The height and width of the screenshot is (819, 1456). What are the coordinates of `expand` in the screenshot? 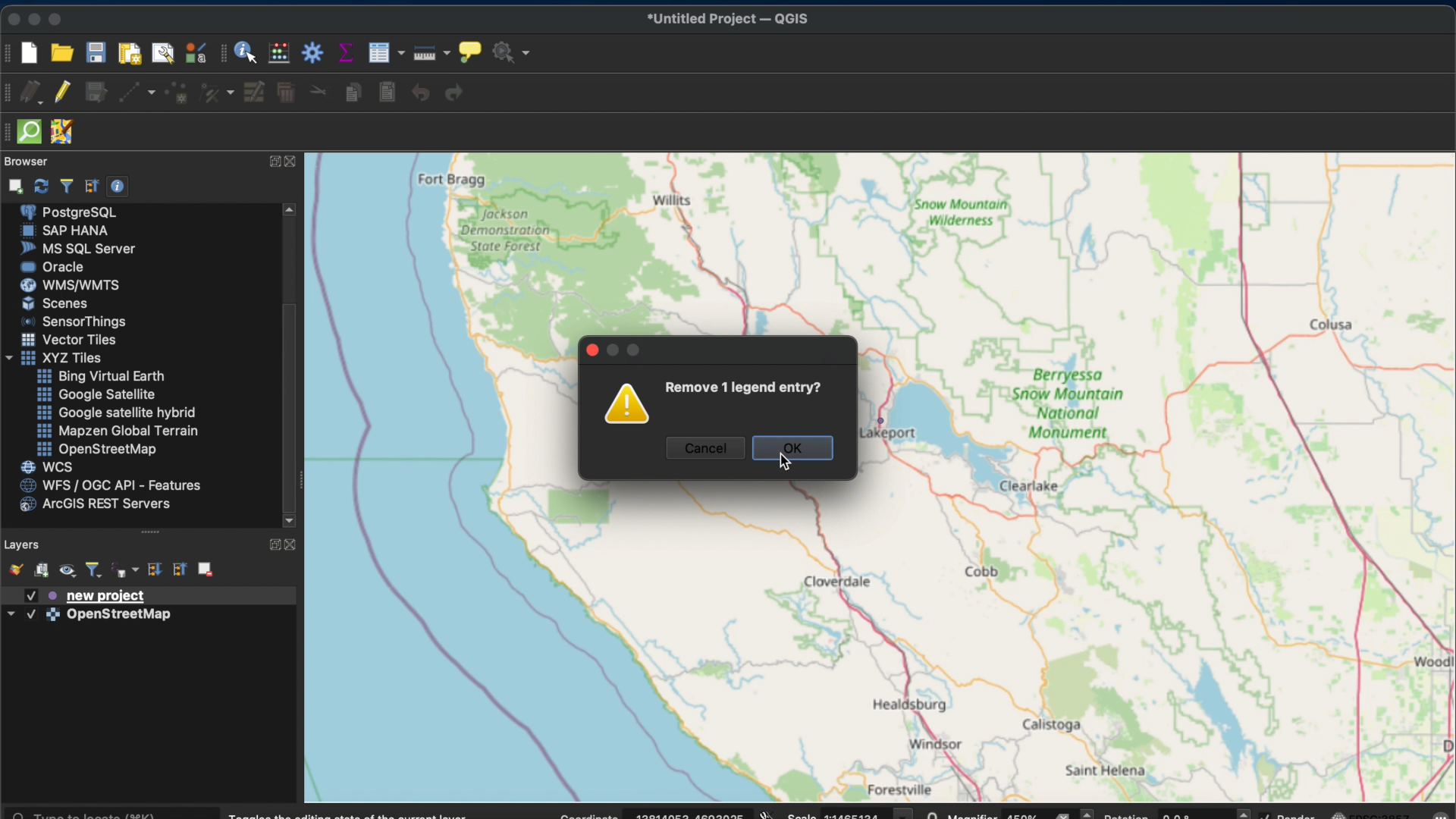 It's located at (271, 162).